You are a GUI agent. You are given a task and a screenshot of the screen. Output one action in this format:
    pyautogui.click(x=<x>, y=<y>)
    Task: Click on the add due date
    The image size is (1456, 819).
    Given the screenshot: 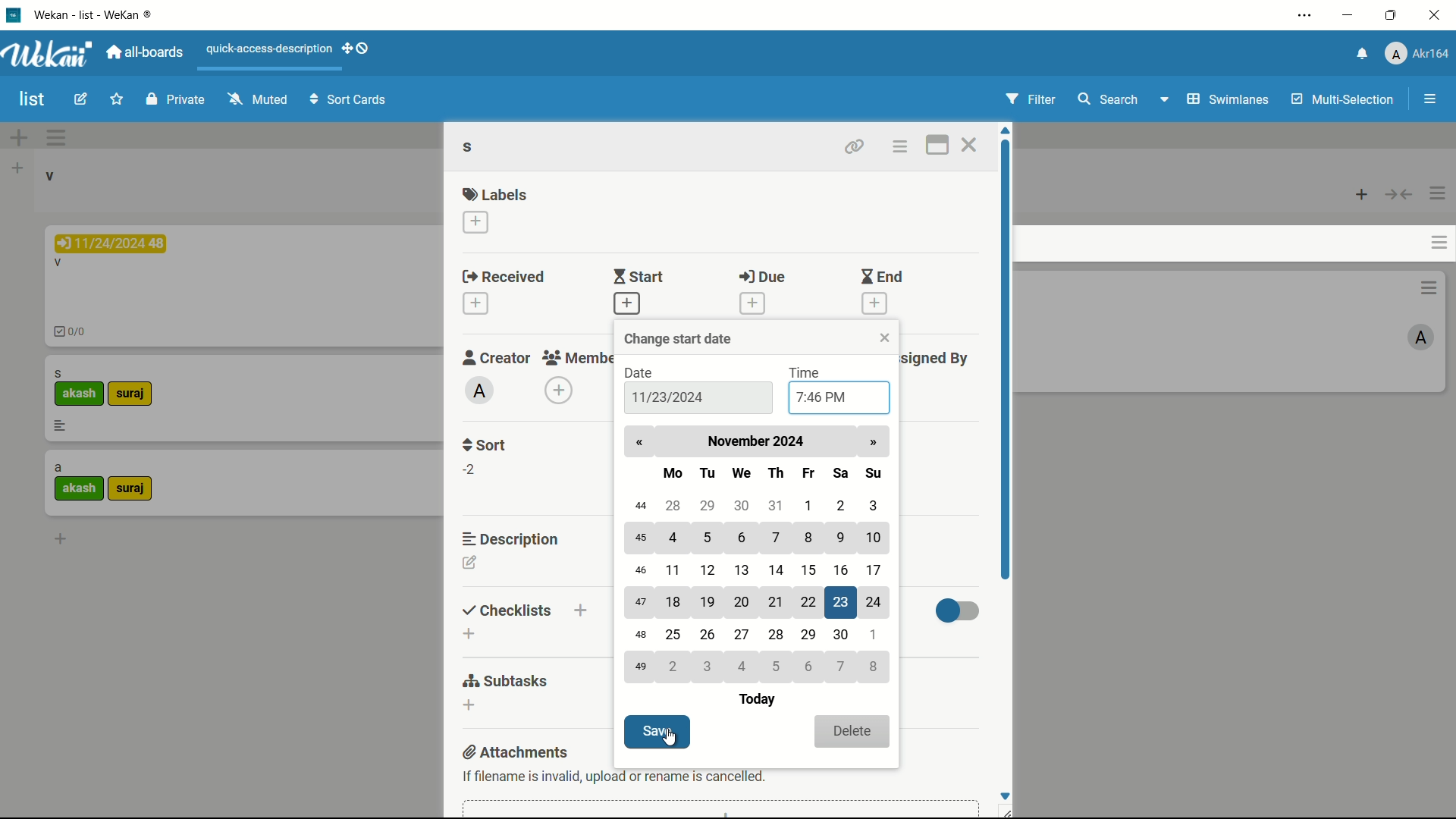 What is the action you would take?
    pyautogui.click(x=752, y=303)
    